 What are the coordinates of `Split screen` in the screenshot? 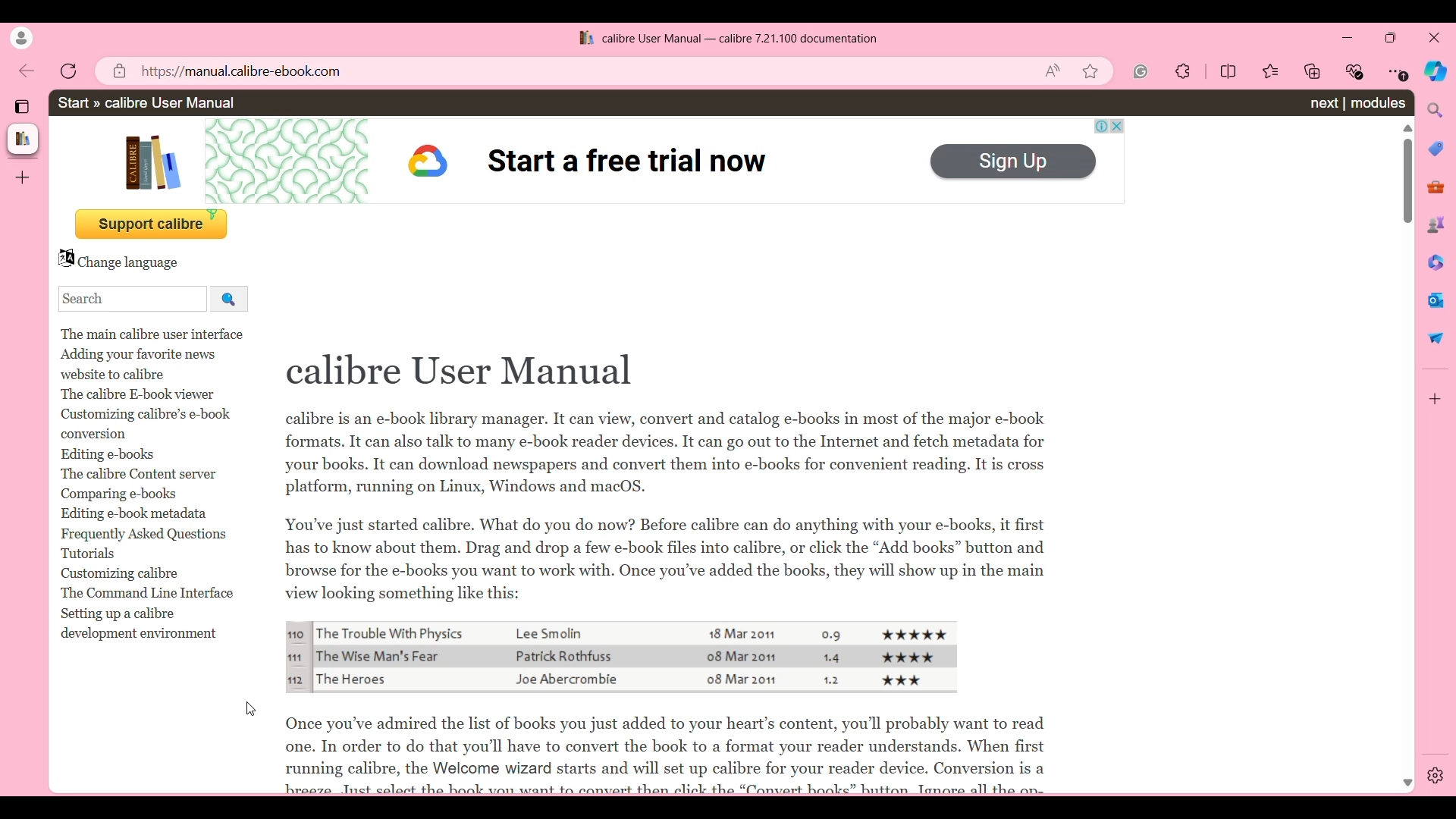 It's located at (1228, 71).